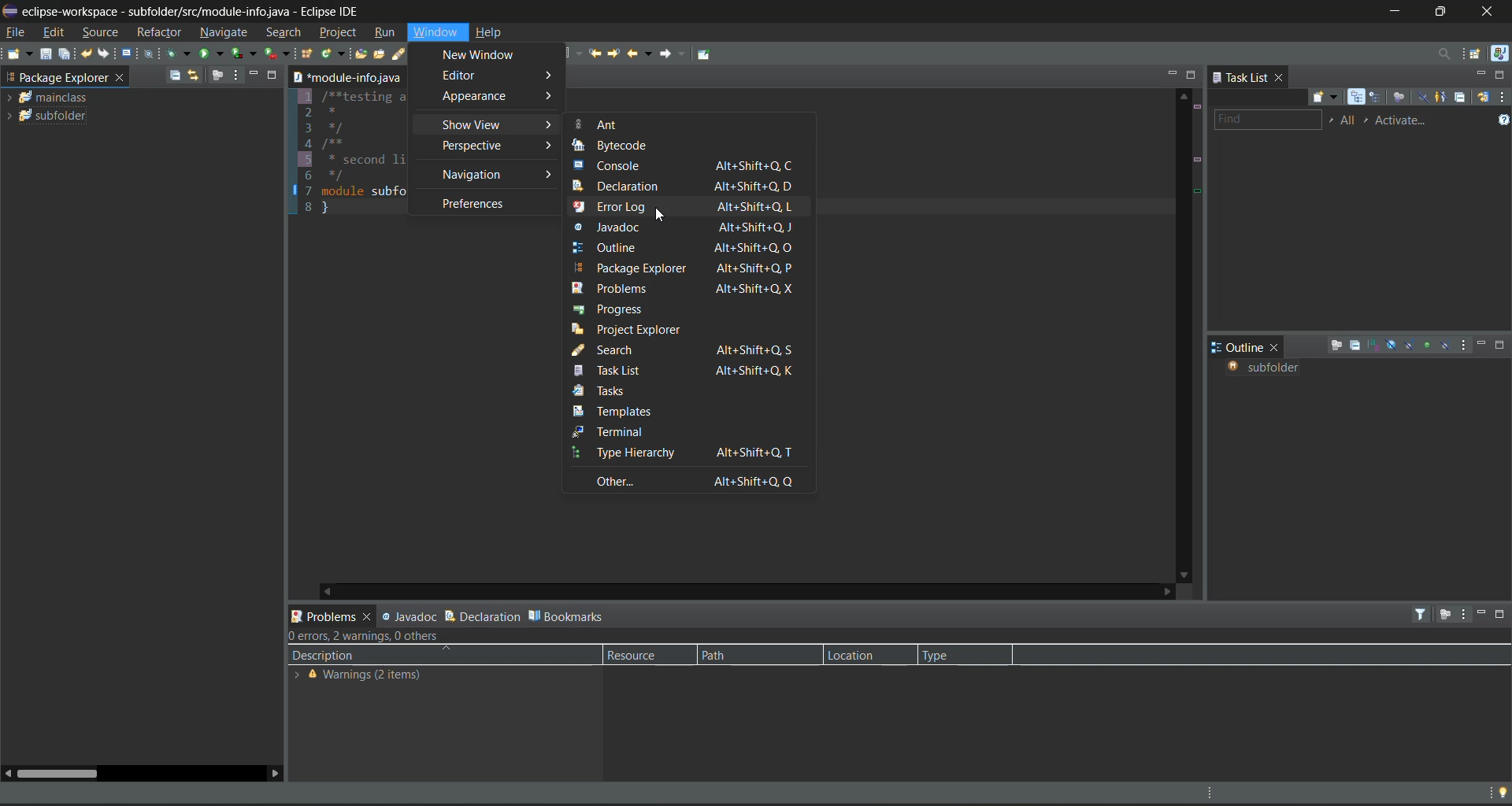 Image resolution: width=1512 pixels, height=806 pixels. What do you see at coordinates (686, 350) in the screenshot?
I see `search` at bounding box center [686, 350].